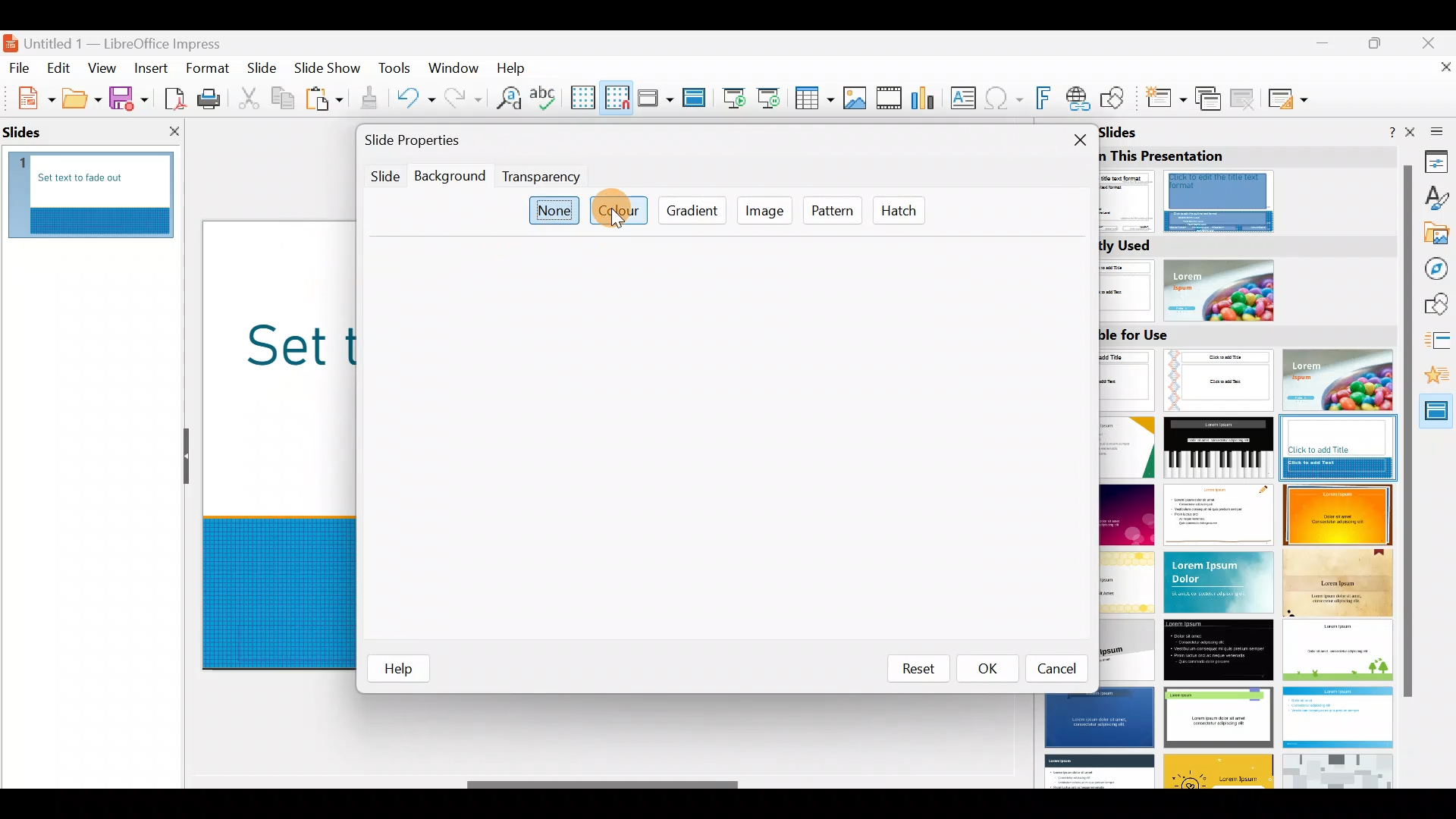 This screenshot has width=1456, height=819. What do you see at coordinates (263, 70) in the screenshot?
I see `Slide` at bounding box center [263, 70].